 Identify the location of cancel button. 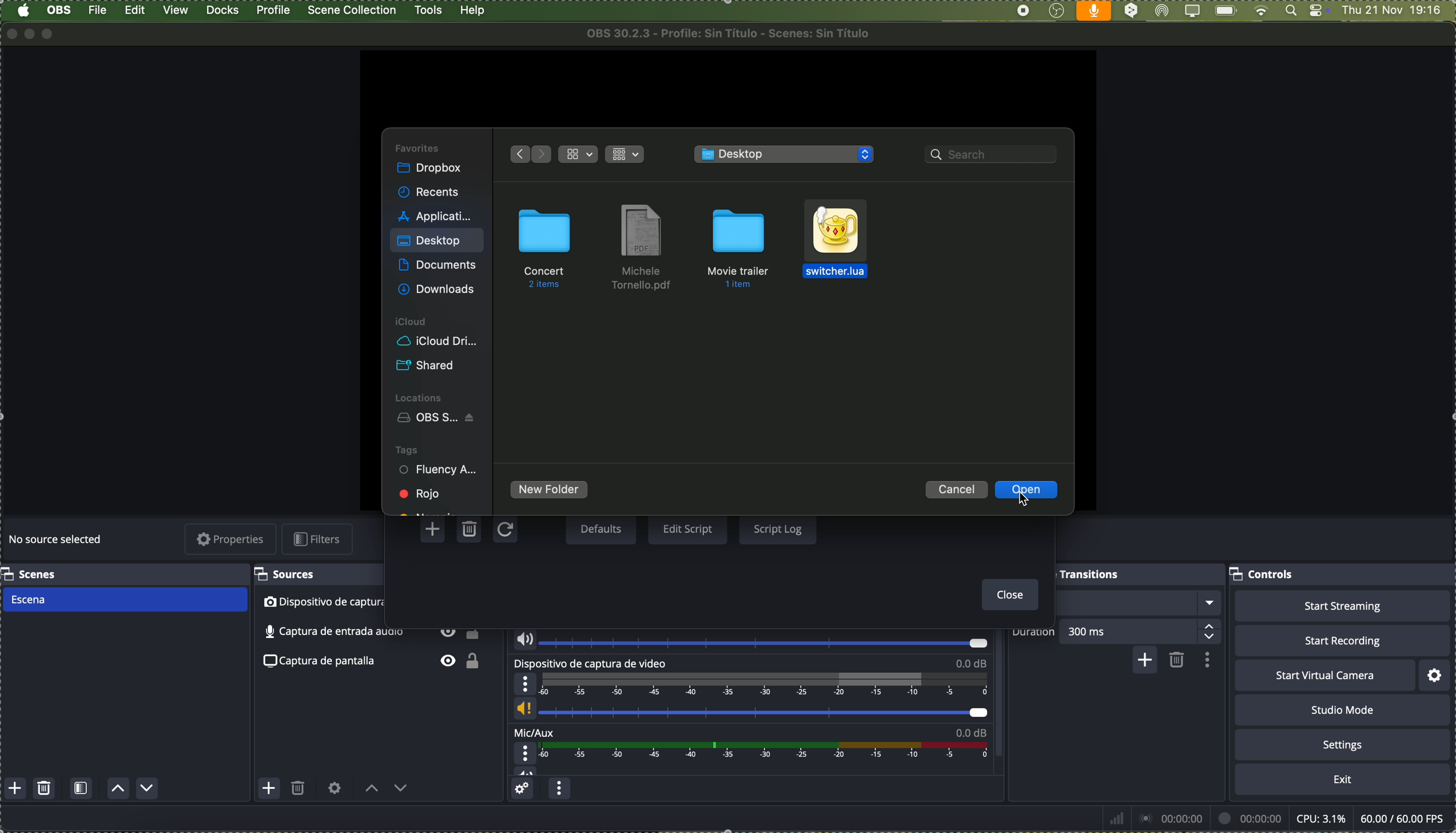
(957, 489).